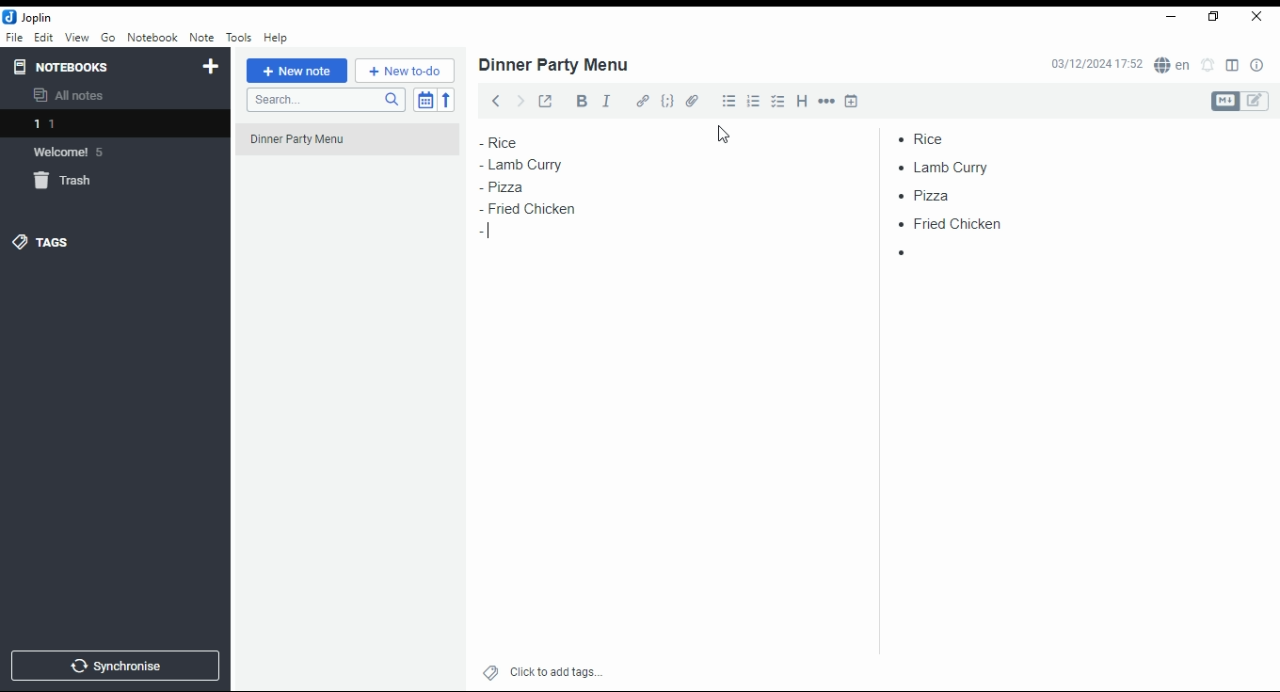 This screenshot has width=1280, height=692. I want to click on file, so click(14, 37).